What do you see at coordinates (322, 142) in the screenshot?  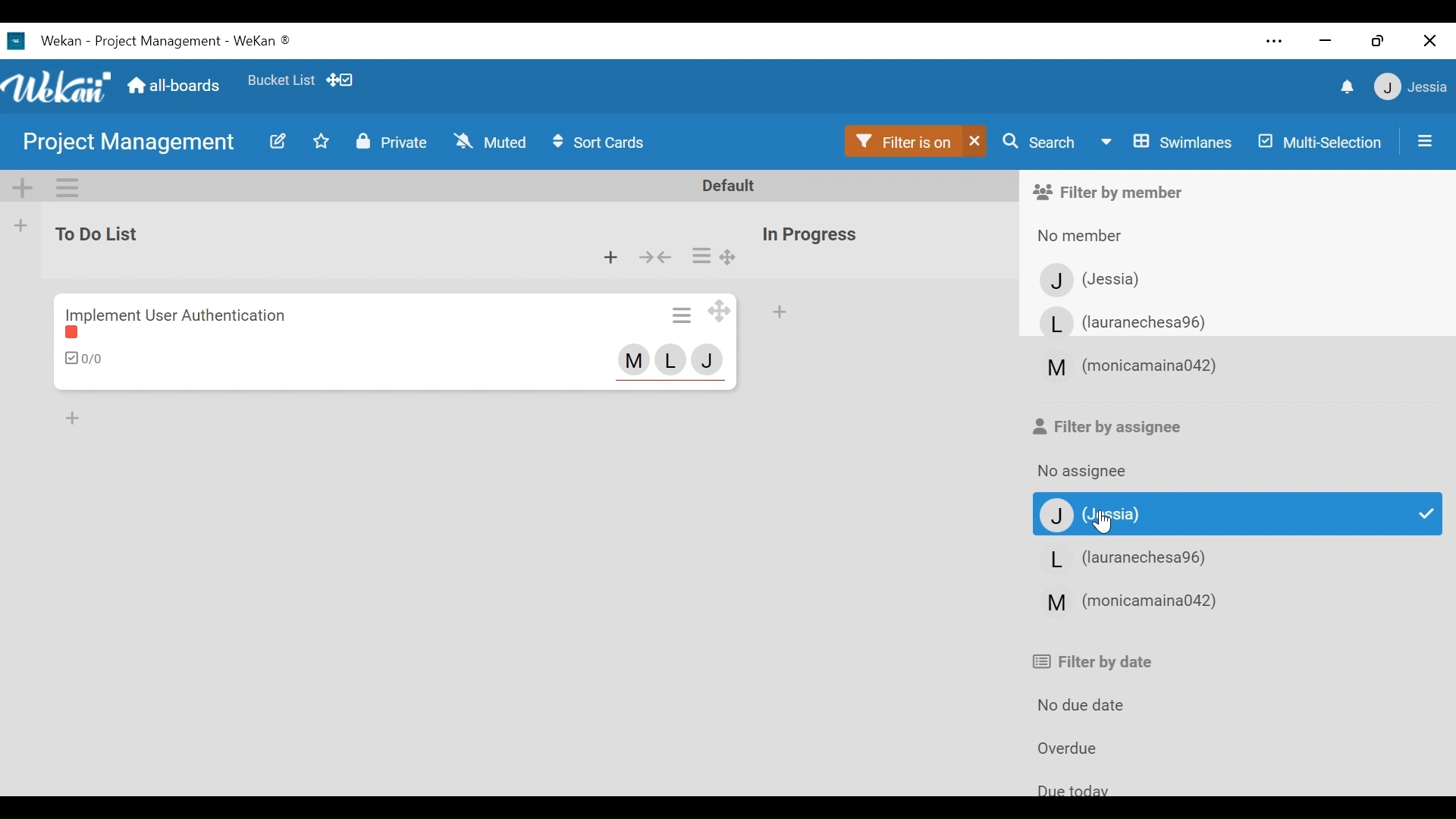 I see `Toggle Favorites` at bounding box center [322, 142].